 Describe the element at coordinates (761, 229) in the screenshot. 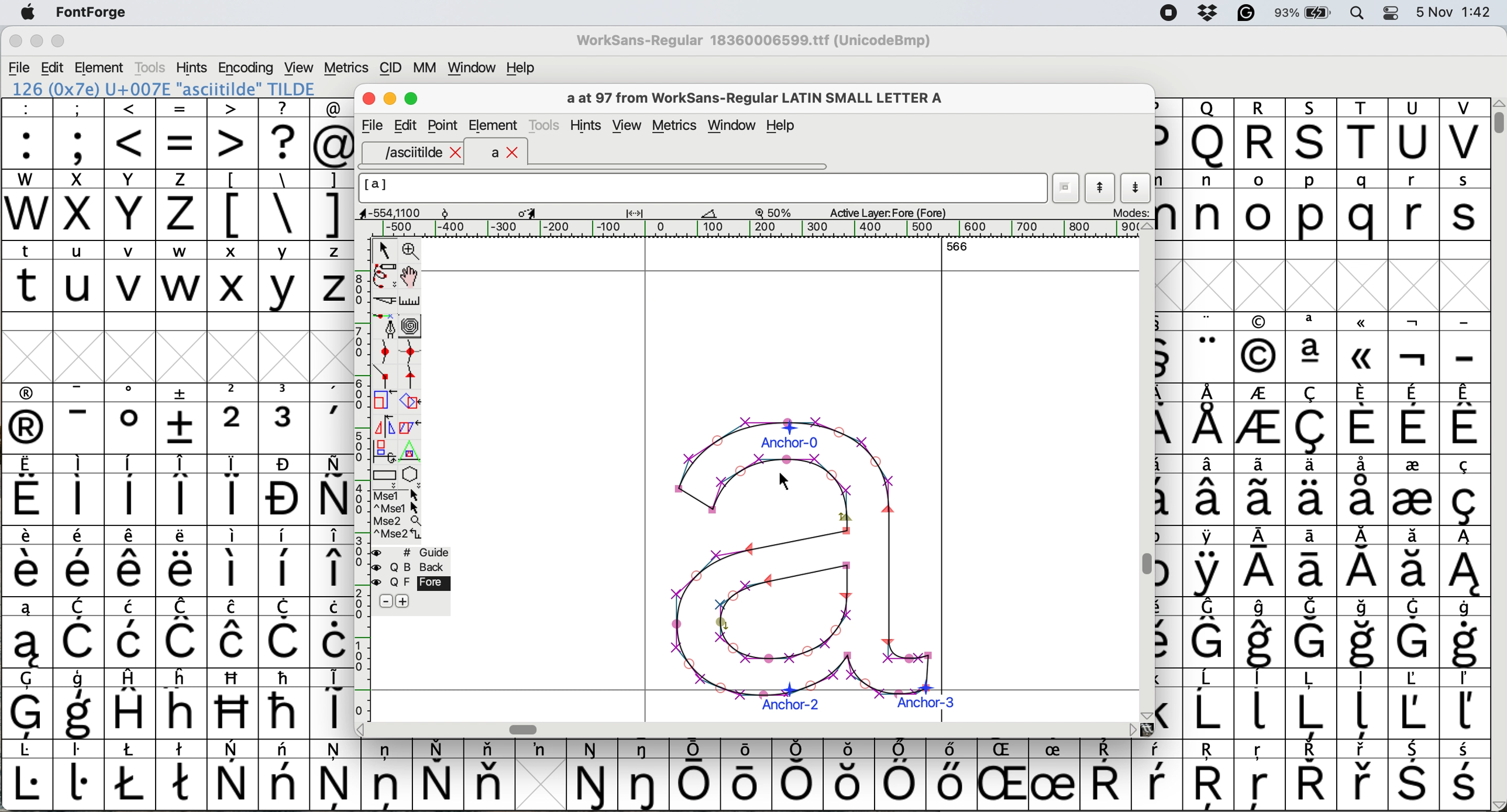

I see `horizontal scale` at that location.